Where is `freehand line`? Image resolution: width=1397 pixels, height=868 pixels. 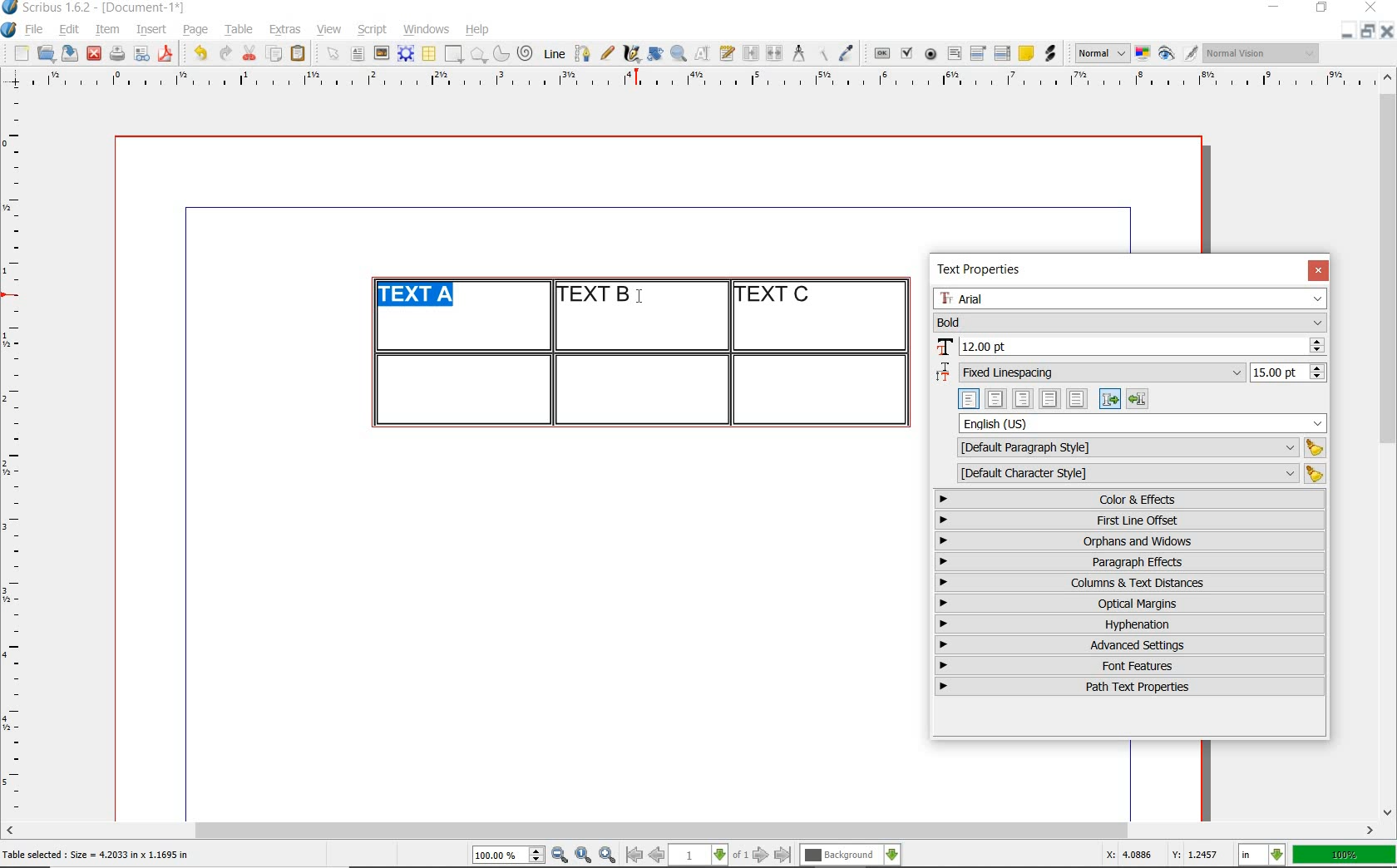 freehand line is located at coordinates (607, 53).